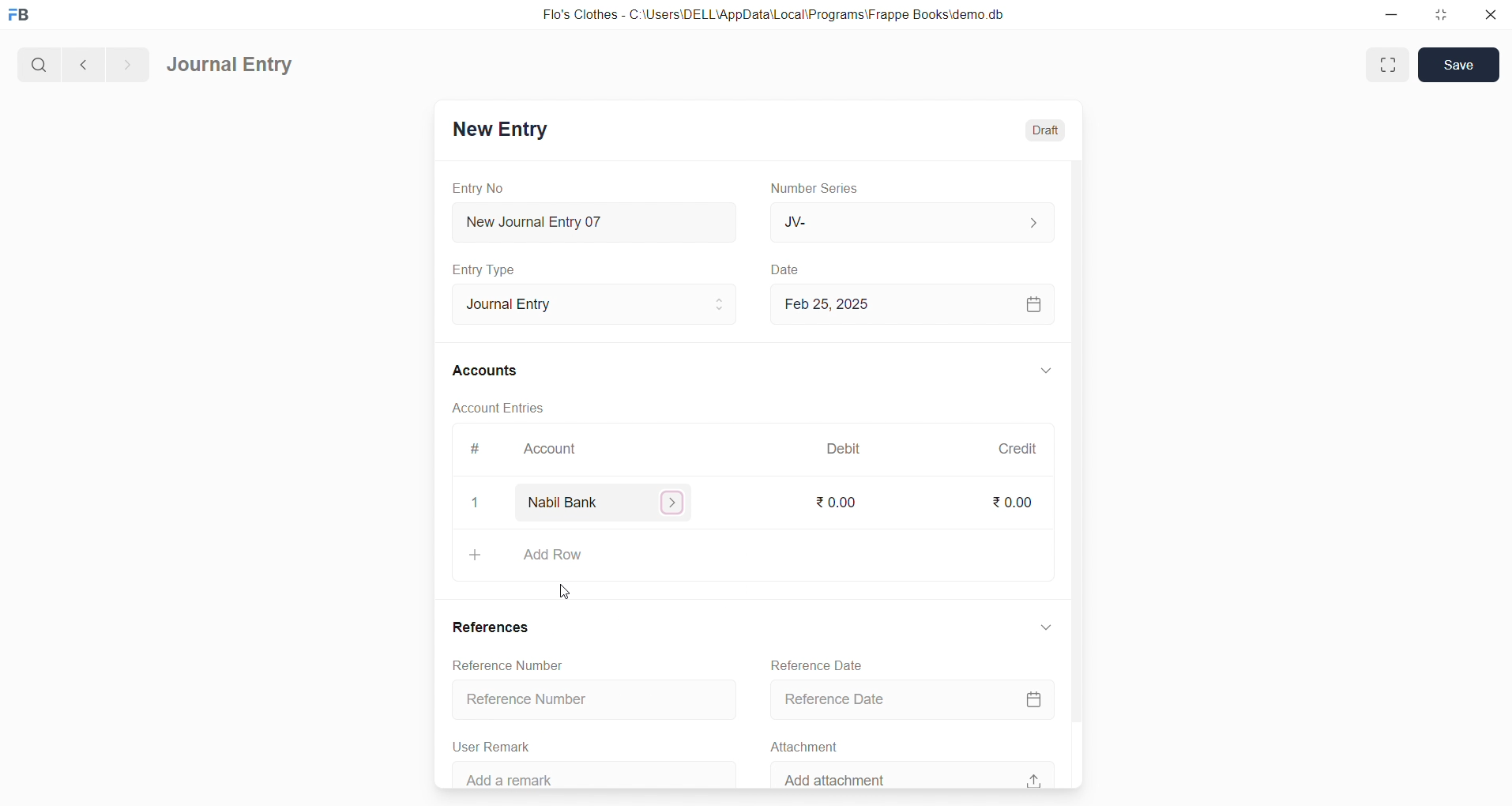 The image size is (1512, 806). Describe the element at coordinates (1045, 371) in the screenshot. I see `expand/collapse` at that location.